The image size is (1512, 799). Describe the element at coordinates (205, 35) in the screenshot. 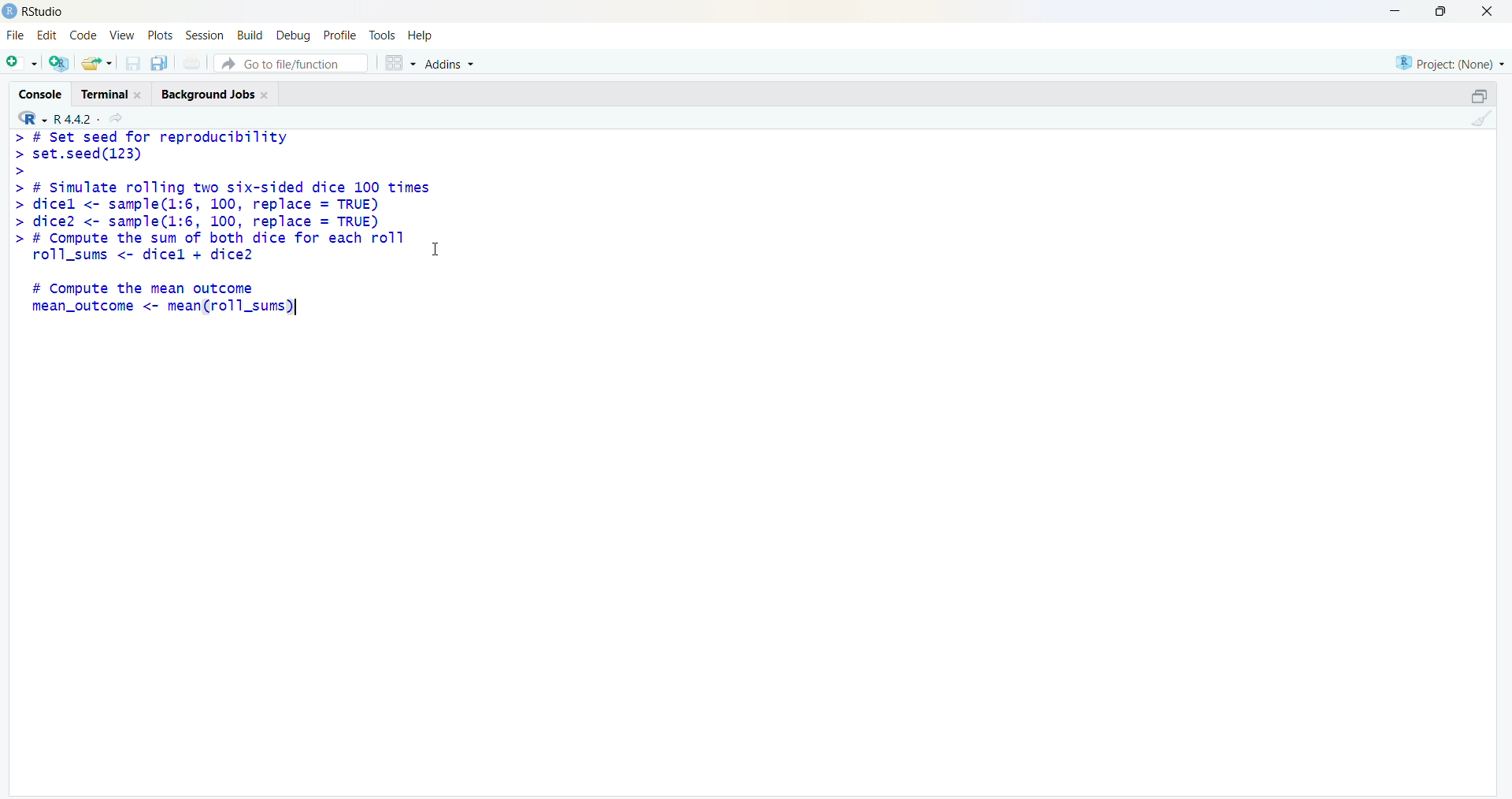

I see `session` at that location.